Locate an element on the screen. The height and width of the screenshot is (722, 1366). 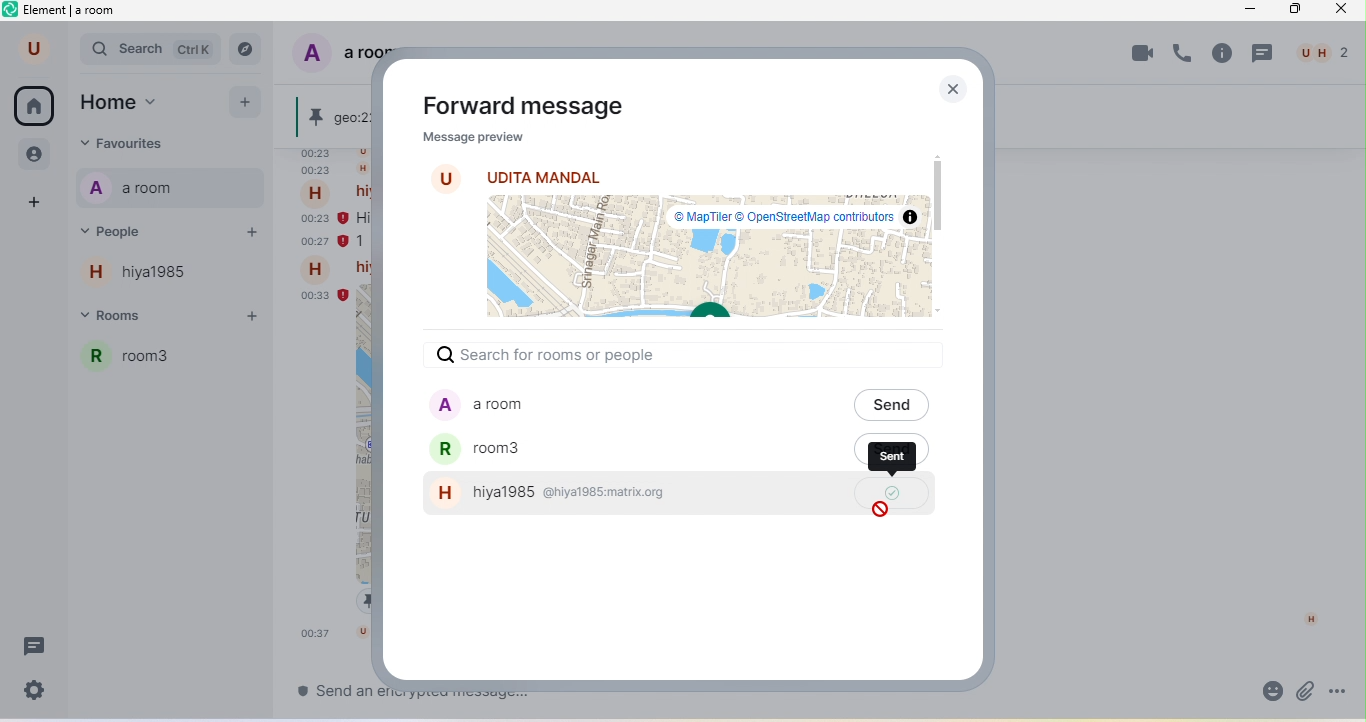
people is located at coordinates (1323, 53).